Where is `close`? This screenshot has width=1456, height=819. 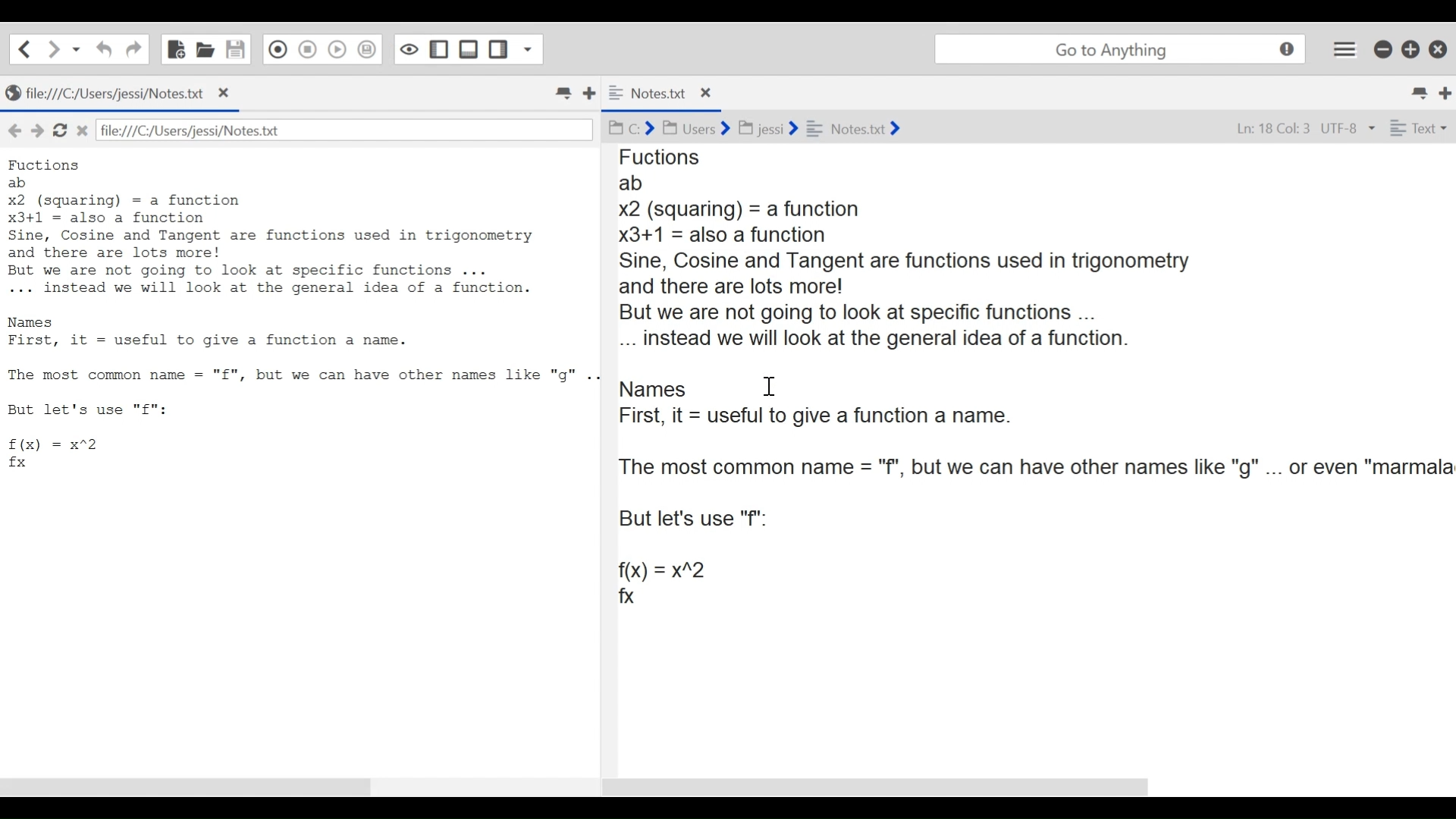 close is located at coordinates (227, 93).